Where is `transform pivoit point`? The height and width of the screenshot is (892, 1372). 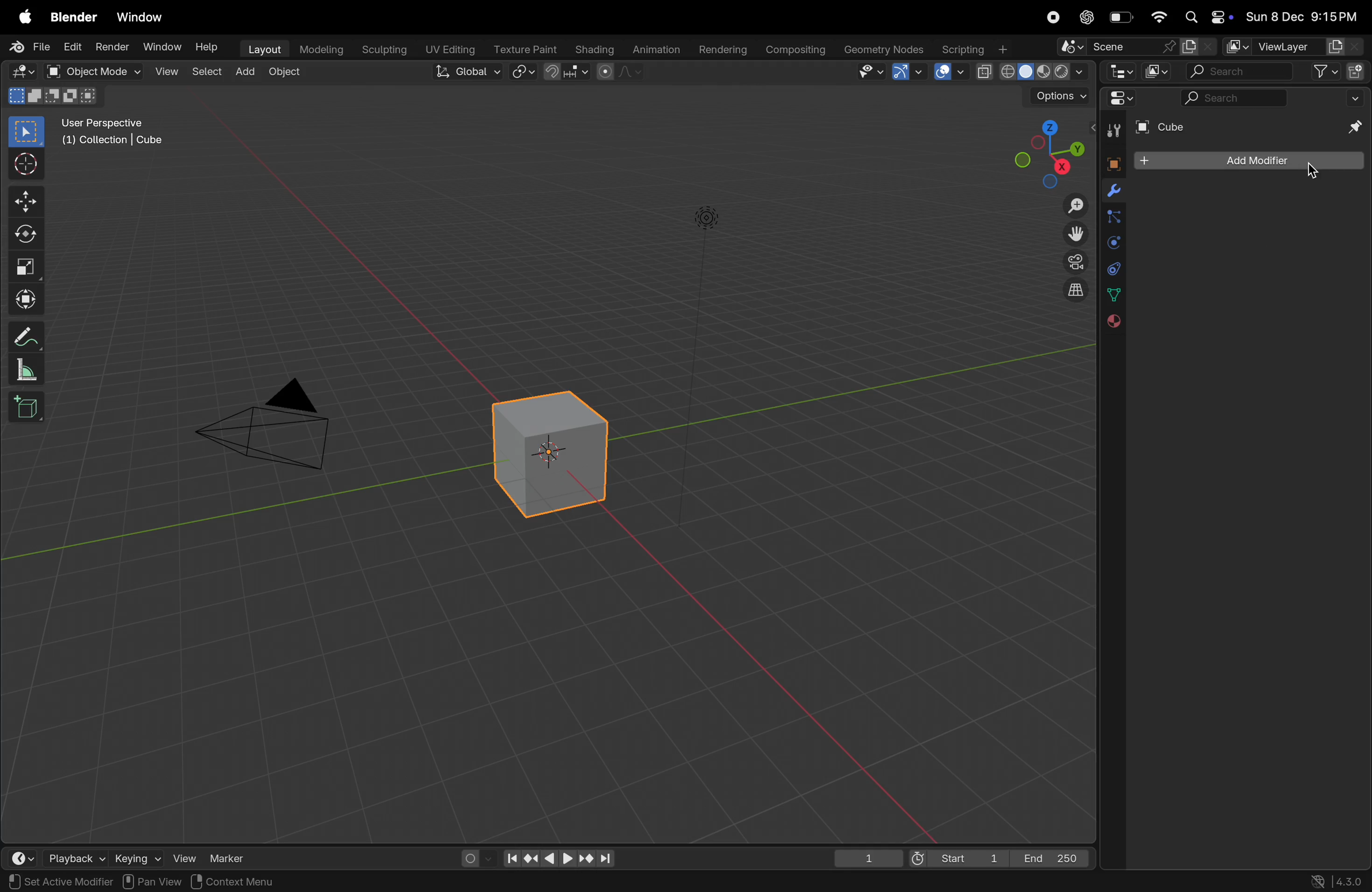
transform pivoit point is located at coordinates (524, 73).